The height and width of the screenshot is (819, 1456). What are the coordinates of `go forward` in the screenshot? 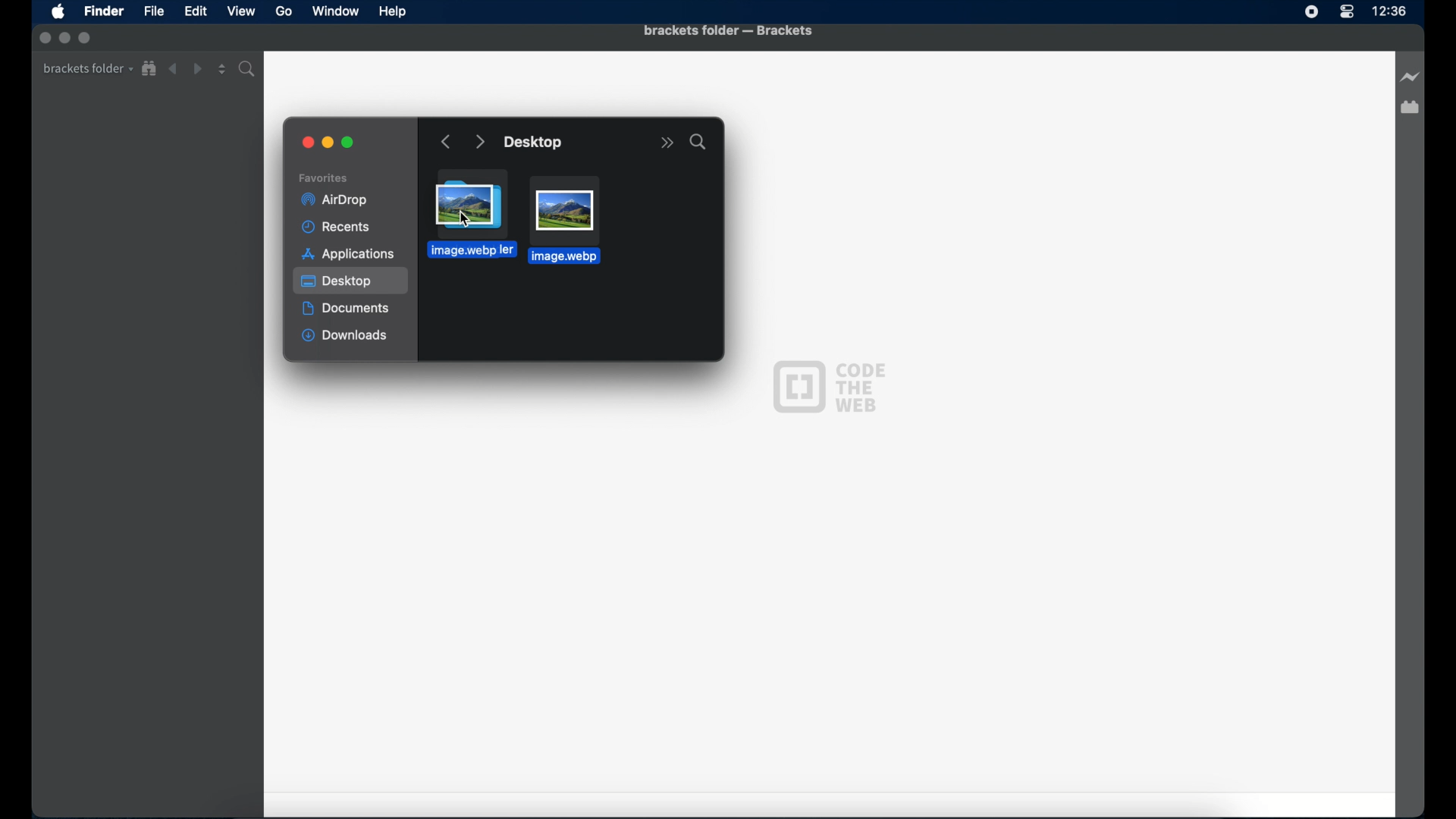 It's located at (479, 143).